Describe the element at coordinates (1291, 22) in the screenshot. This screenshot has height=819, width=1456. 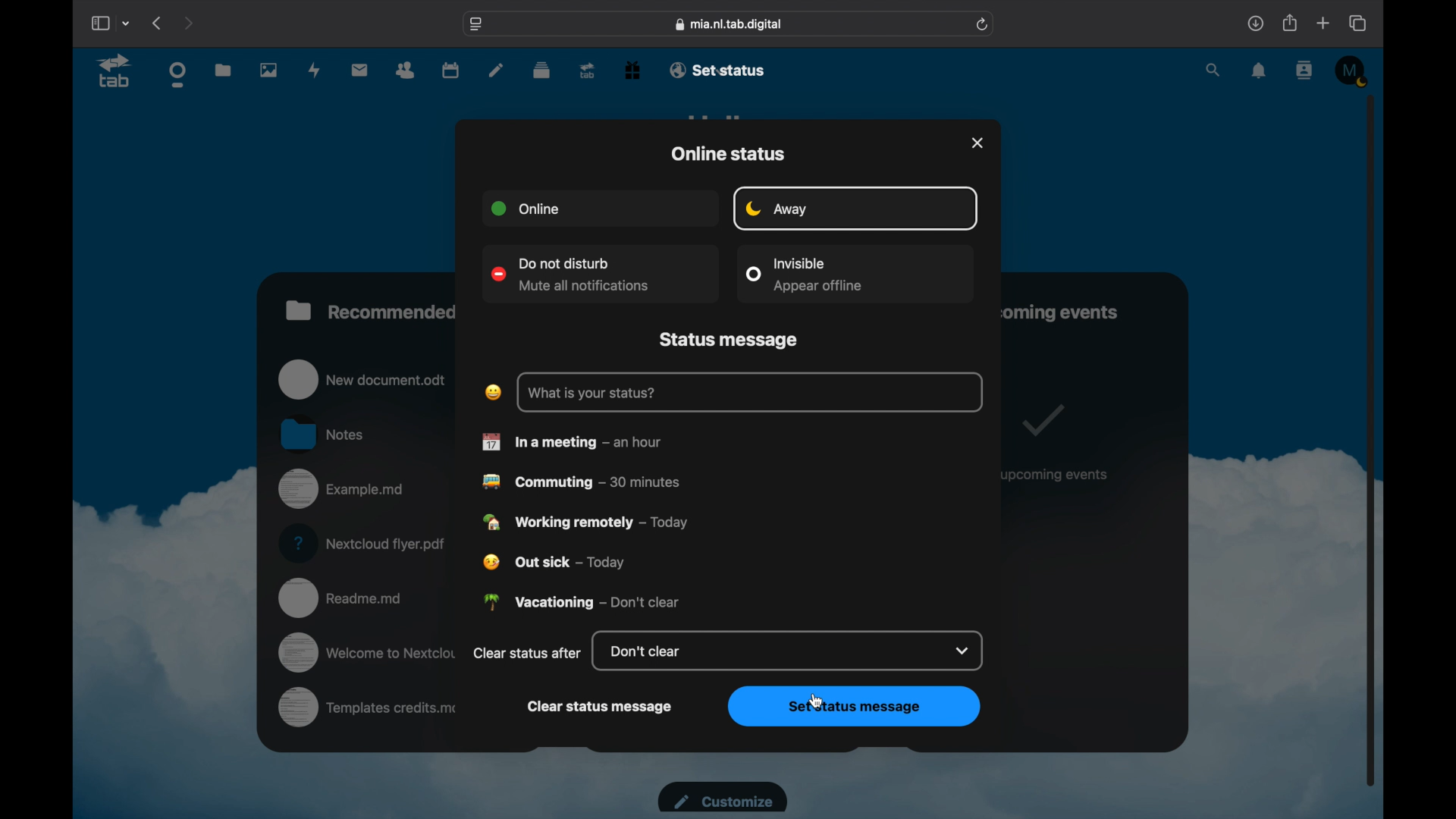
I see `share` at that location.